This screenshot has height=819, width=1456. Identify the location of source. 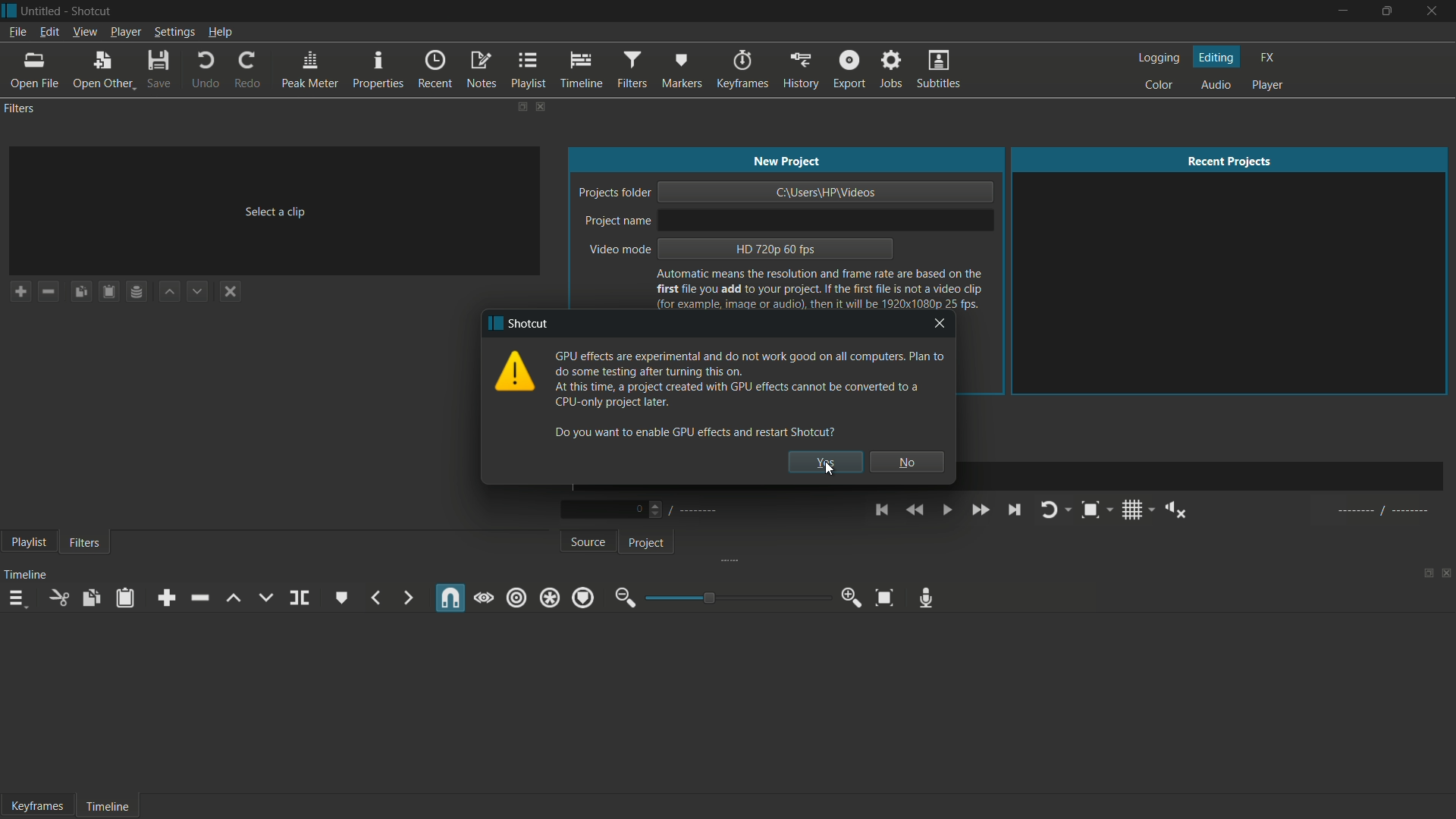
(591, 543).